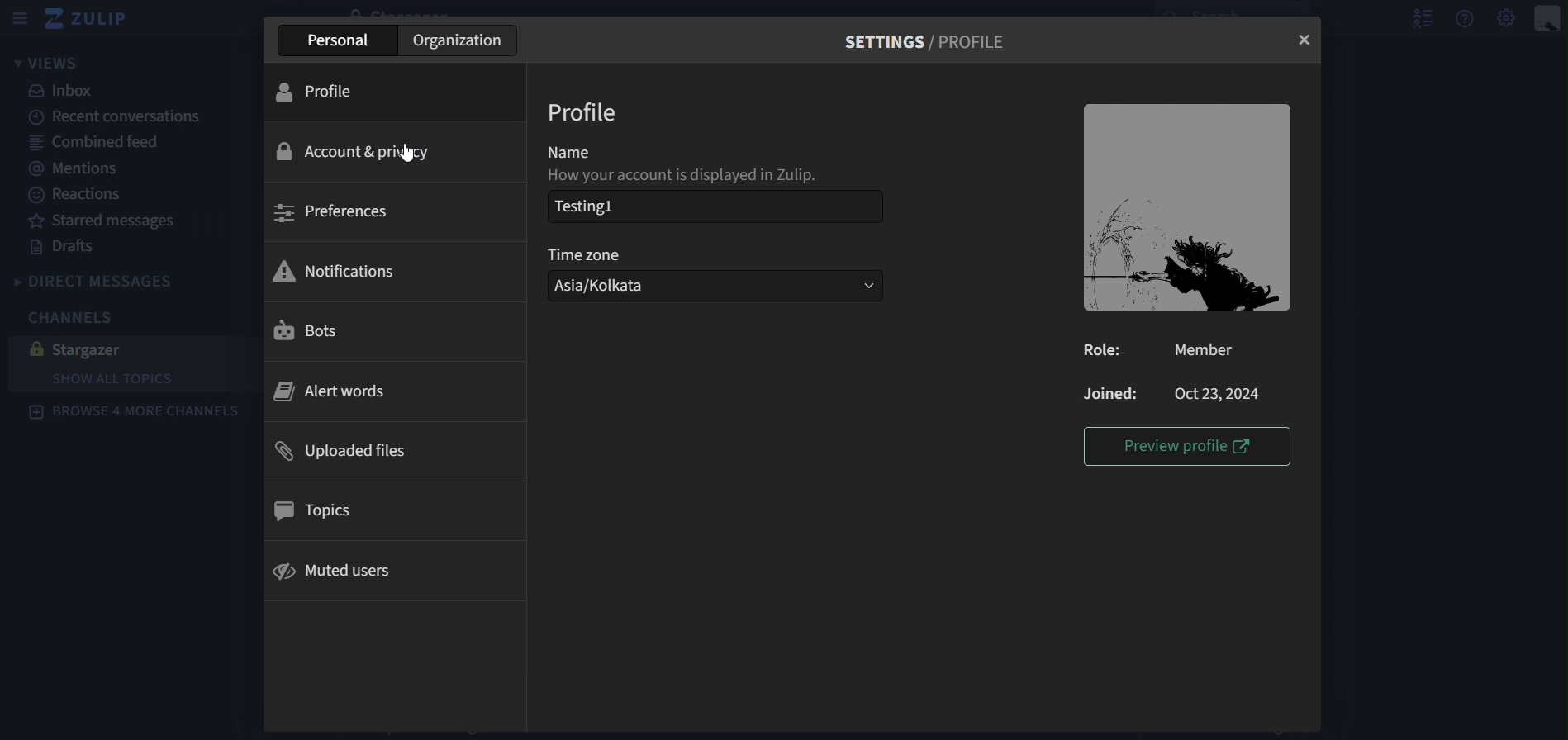  Describe the element at coordinates (1469, 20) in the screenshot. I see `help` at that location.